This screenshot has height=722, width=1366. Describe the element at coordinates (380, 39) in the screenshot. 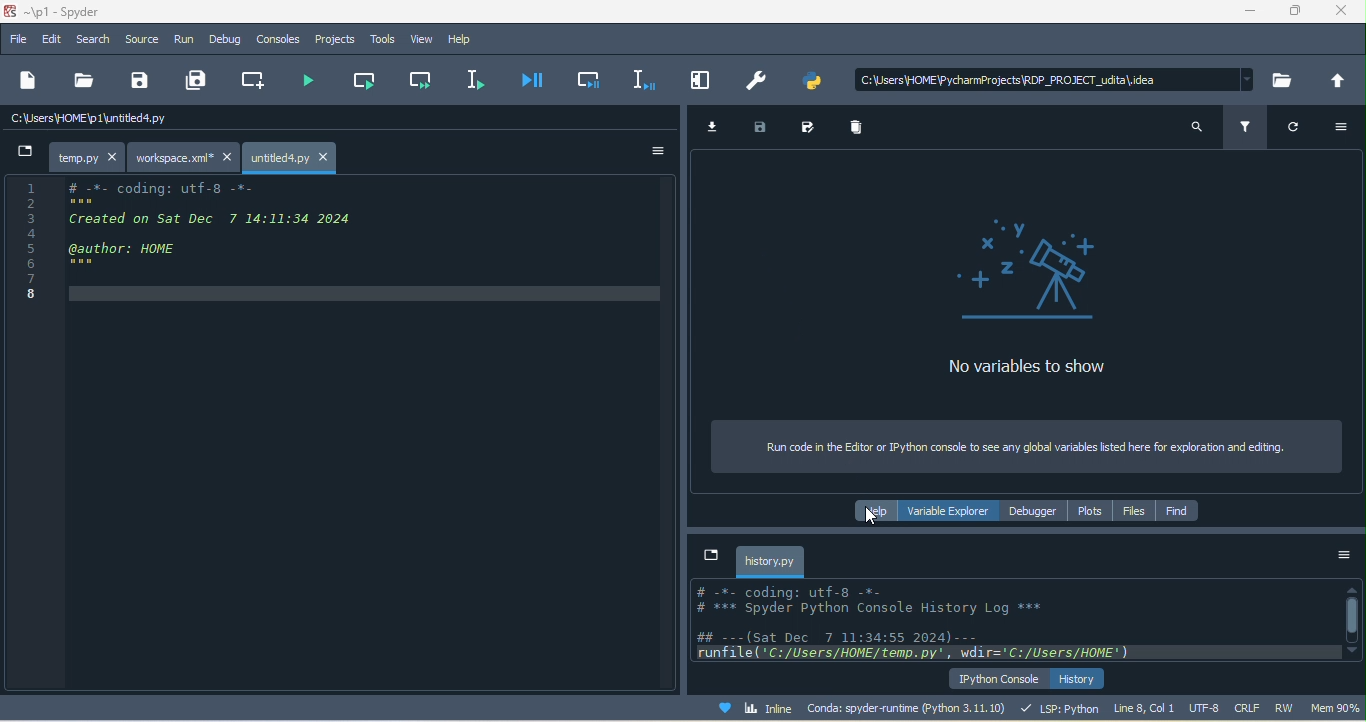

I see `tools` at that location.